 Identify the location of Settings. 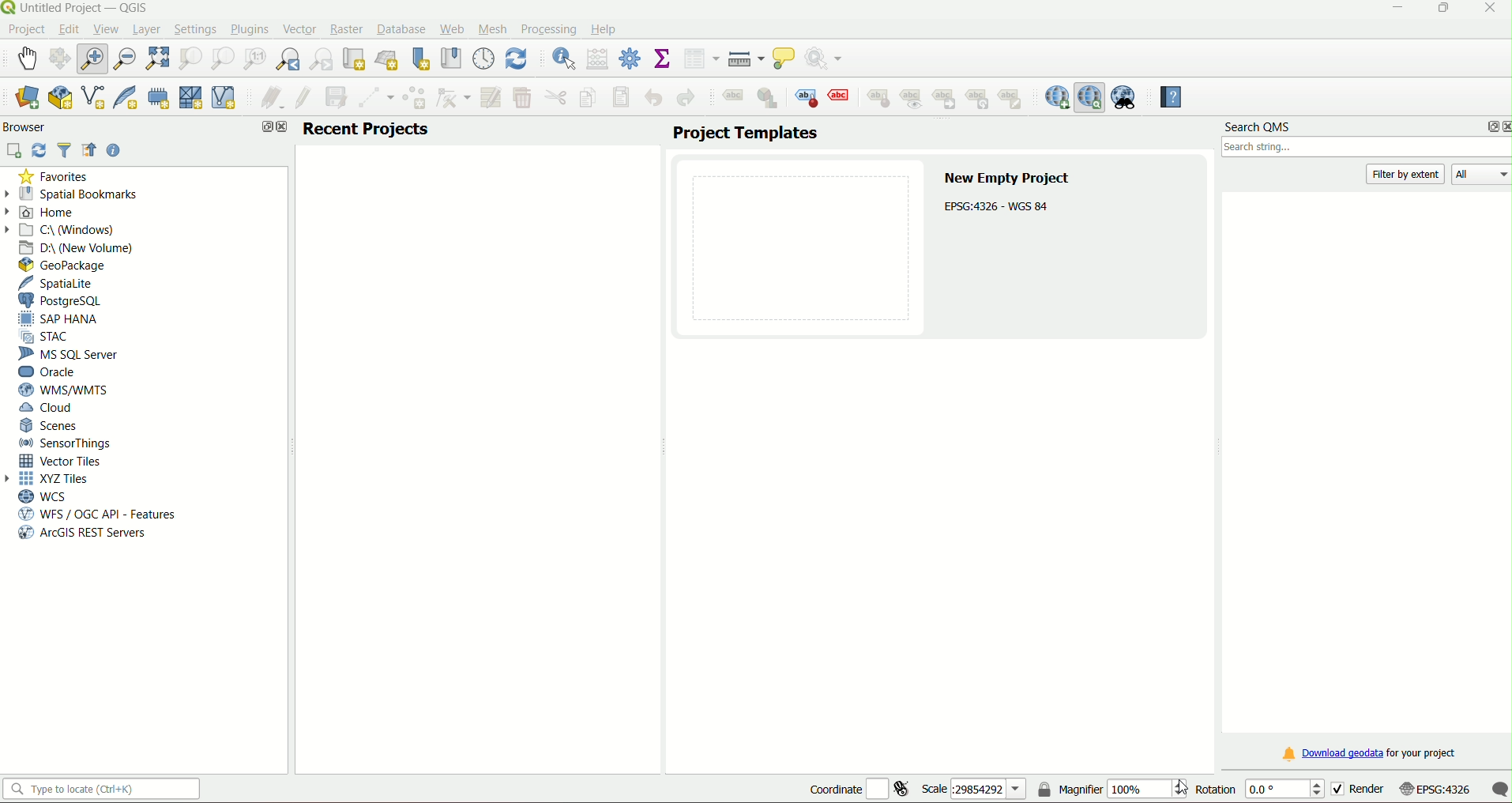
(195, 28).